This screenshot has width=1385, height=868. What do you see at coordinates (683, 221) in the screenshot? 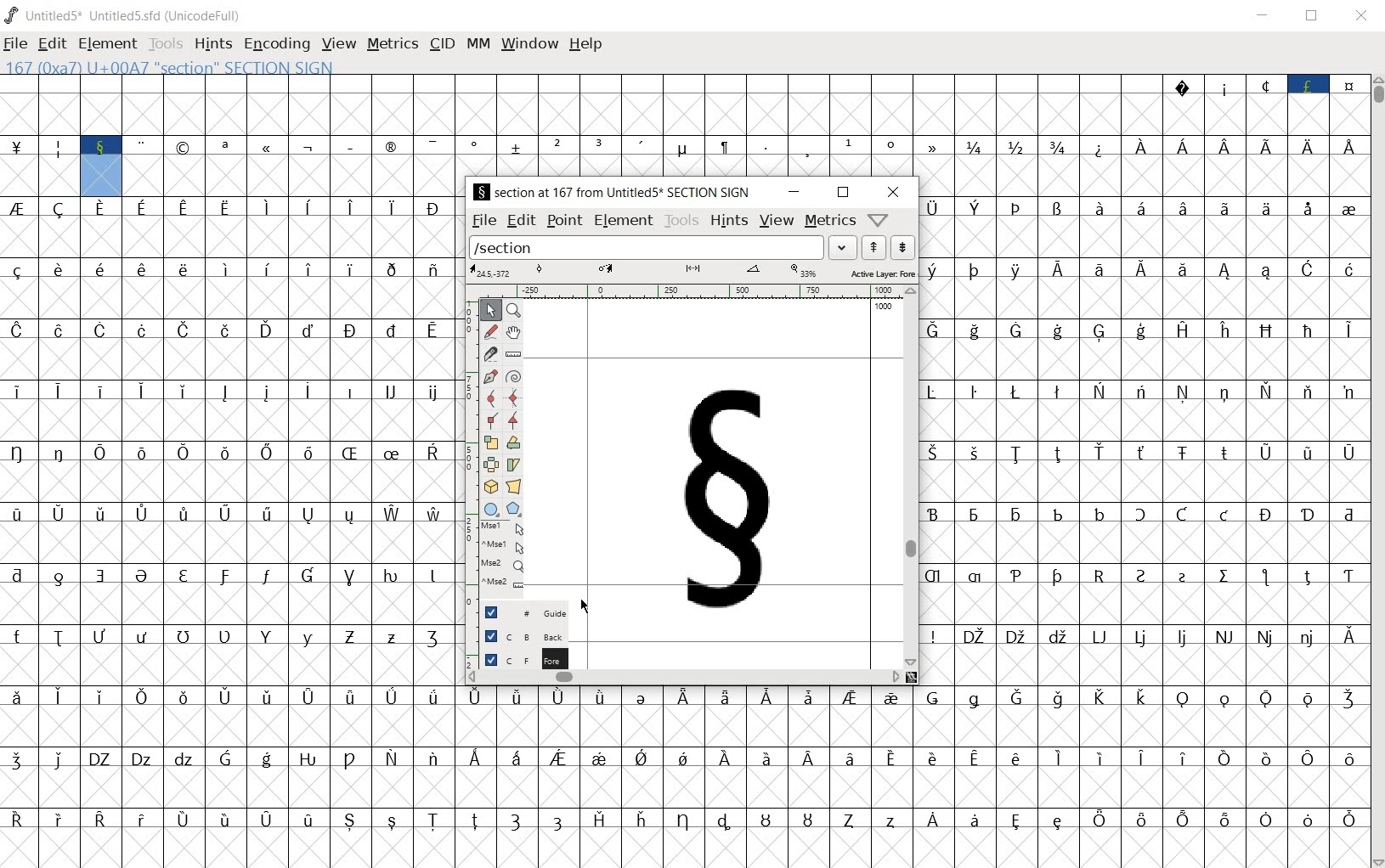
I see `tools` at bounding box center [683, 221].